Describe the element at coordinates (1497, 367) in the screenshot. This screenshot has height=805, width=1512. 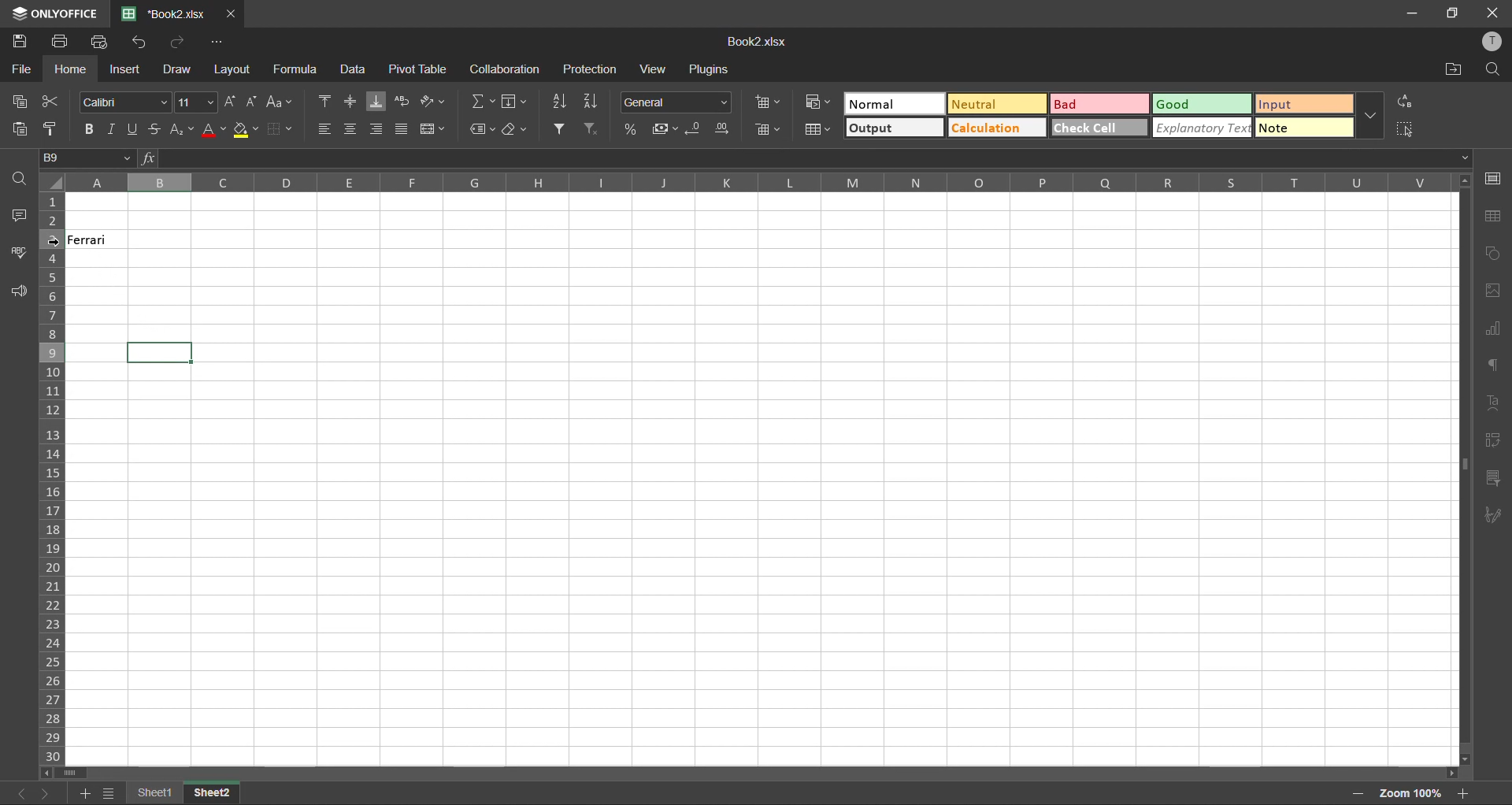
I see `paragraph` at that location.